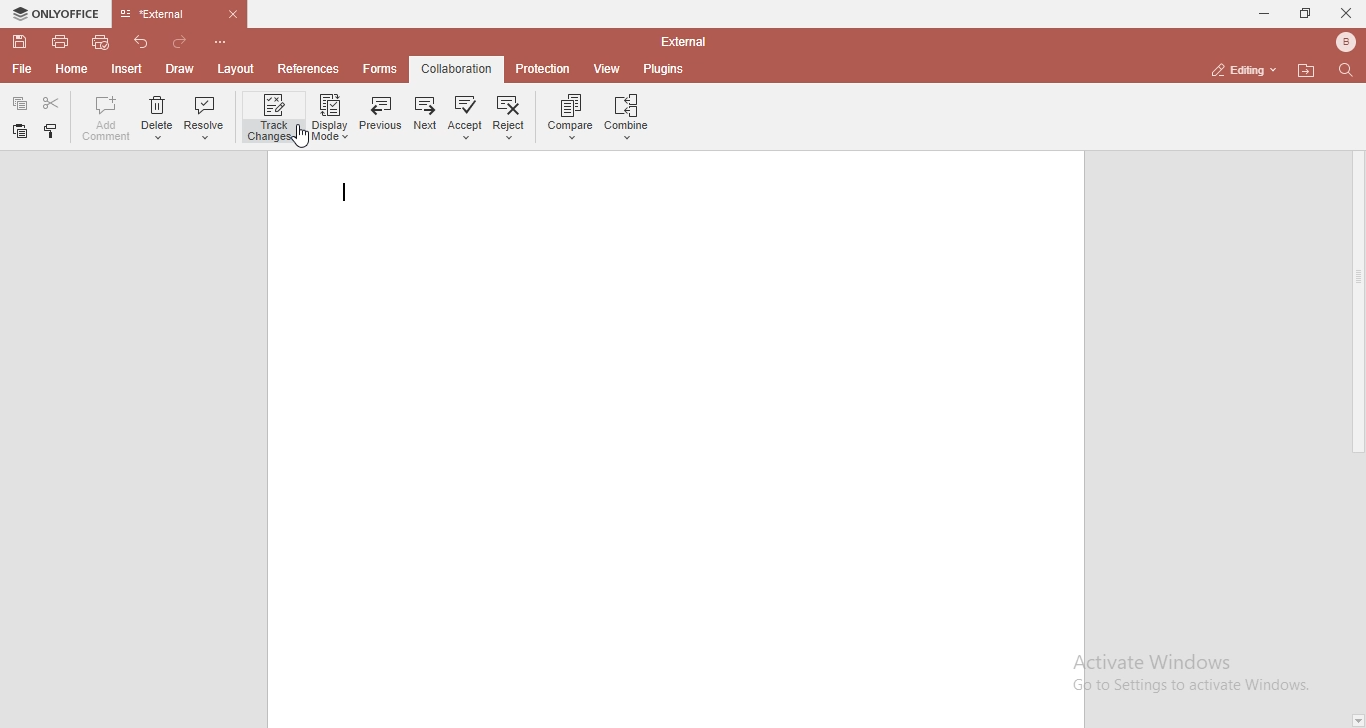  I want to click on customise quick access toolbar, so click(220, 41).